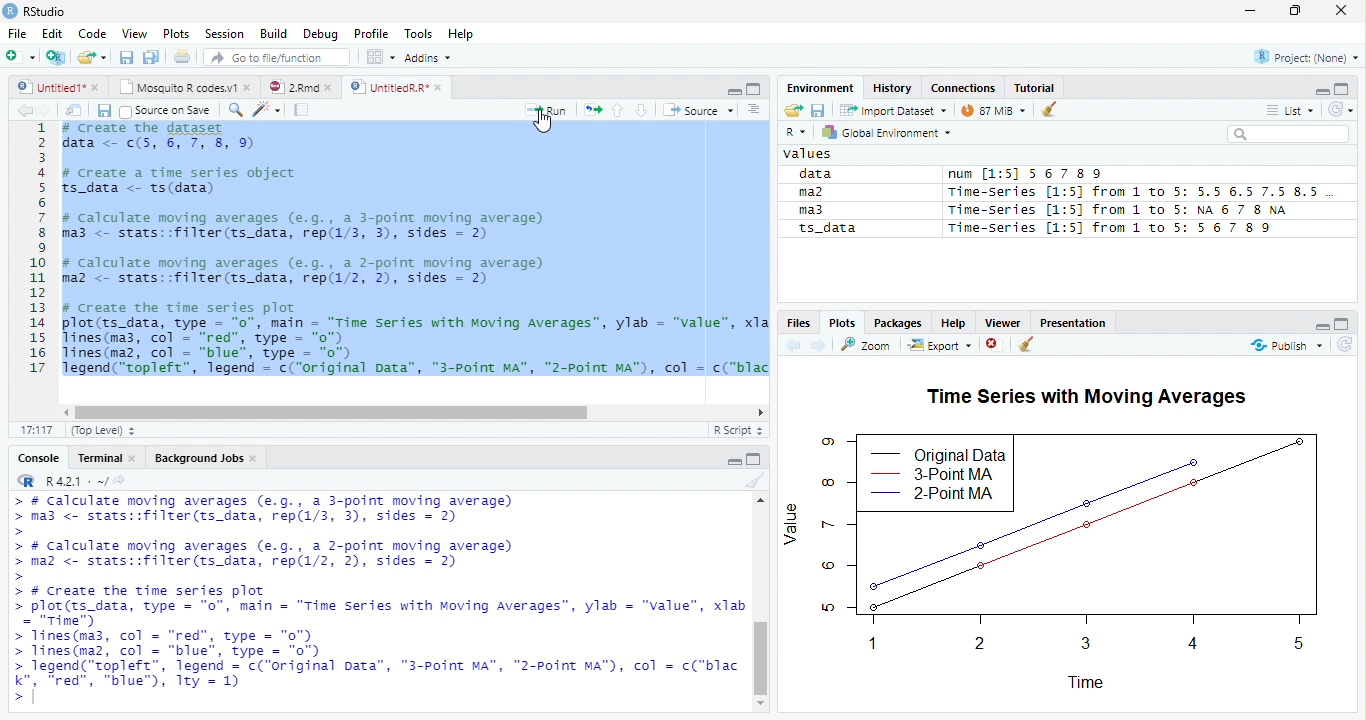 This screenshot has width=1366, height=720. Describe the element at coordinates (821, 191) in the screenshot. I see `ma2` at that location.